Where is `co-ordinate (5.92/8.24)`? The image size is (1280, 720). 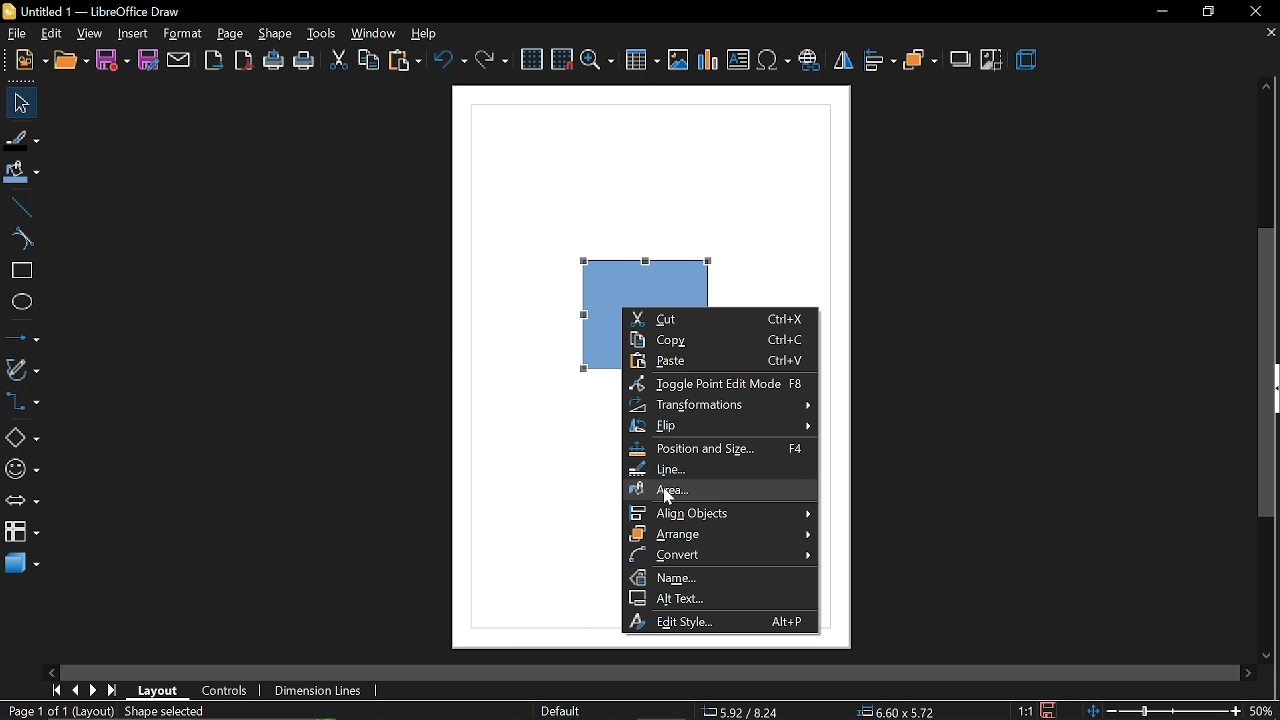
co-ordinate (5.92/8.24) is located at coordinates (748, 710).